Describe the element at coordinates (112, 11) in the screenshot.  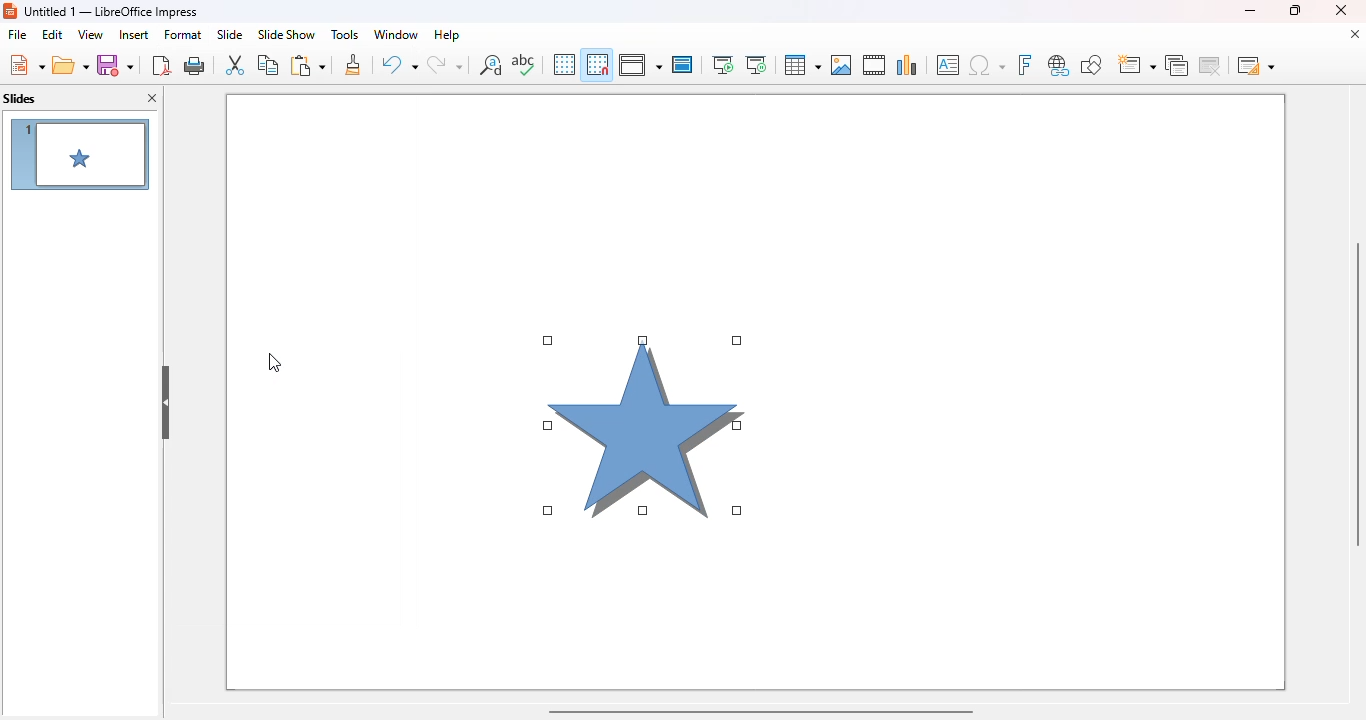
I see `title` at that location.